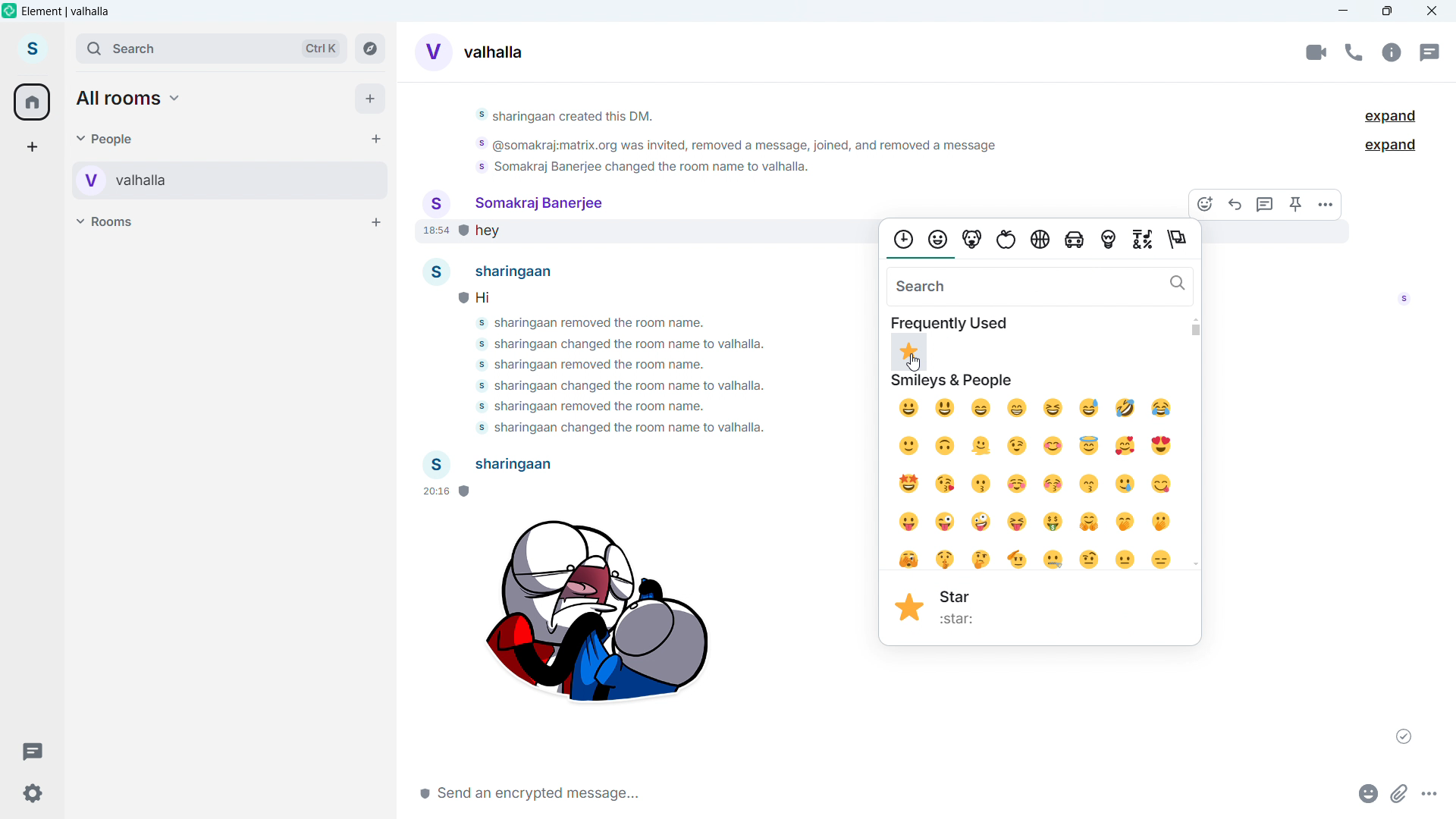 Image resolution: width=1456 pixels, height=819 pixels. What do you see at coordinates (1208, 203) in the screenshot?
I see `react ` at bounding box center [1208, 203].